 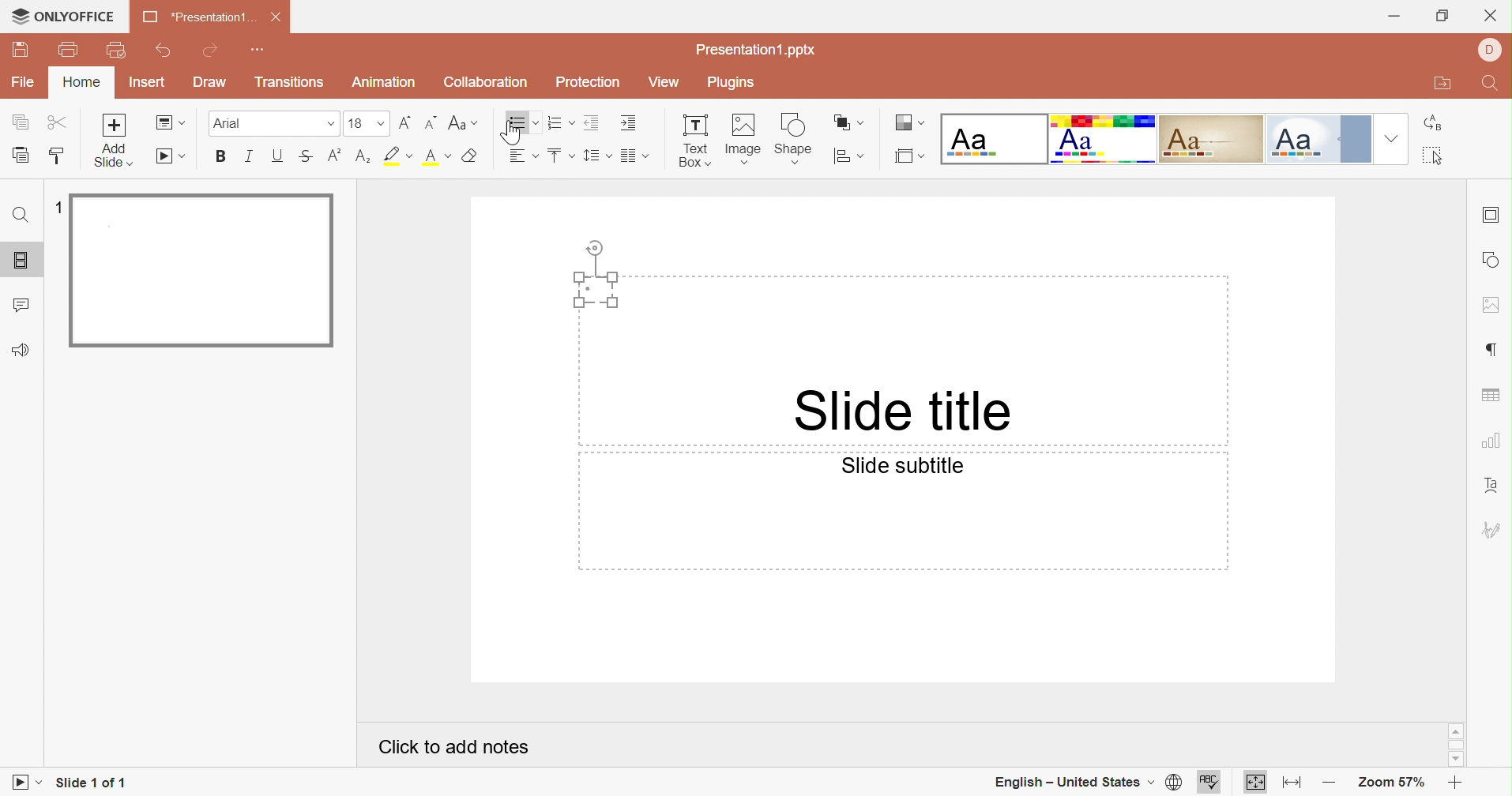 What do you see at coordinates (1455, 783) in the screenshot?
I see `Zoom in` at bounding box center [1455, 783].